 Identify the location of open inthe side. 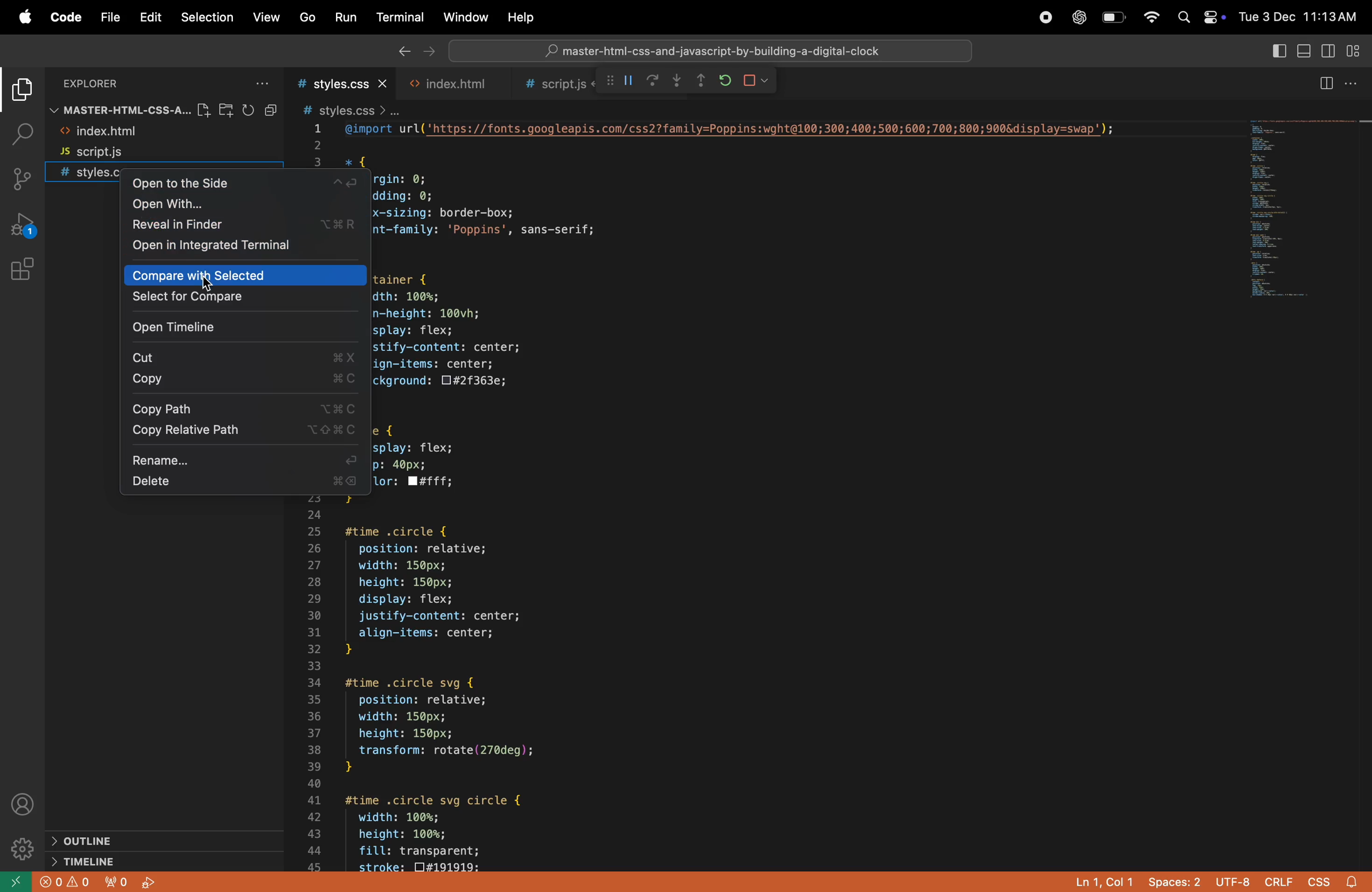
(246, 186).